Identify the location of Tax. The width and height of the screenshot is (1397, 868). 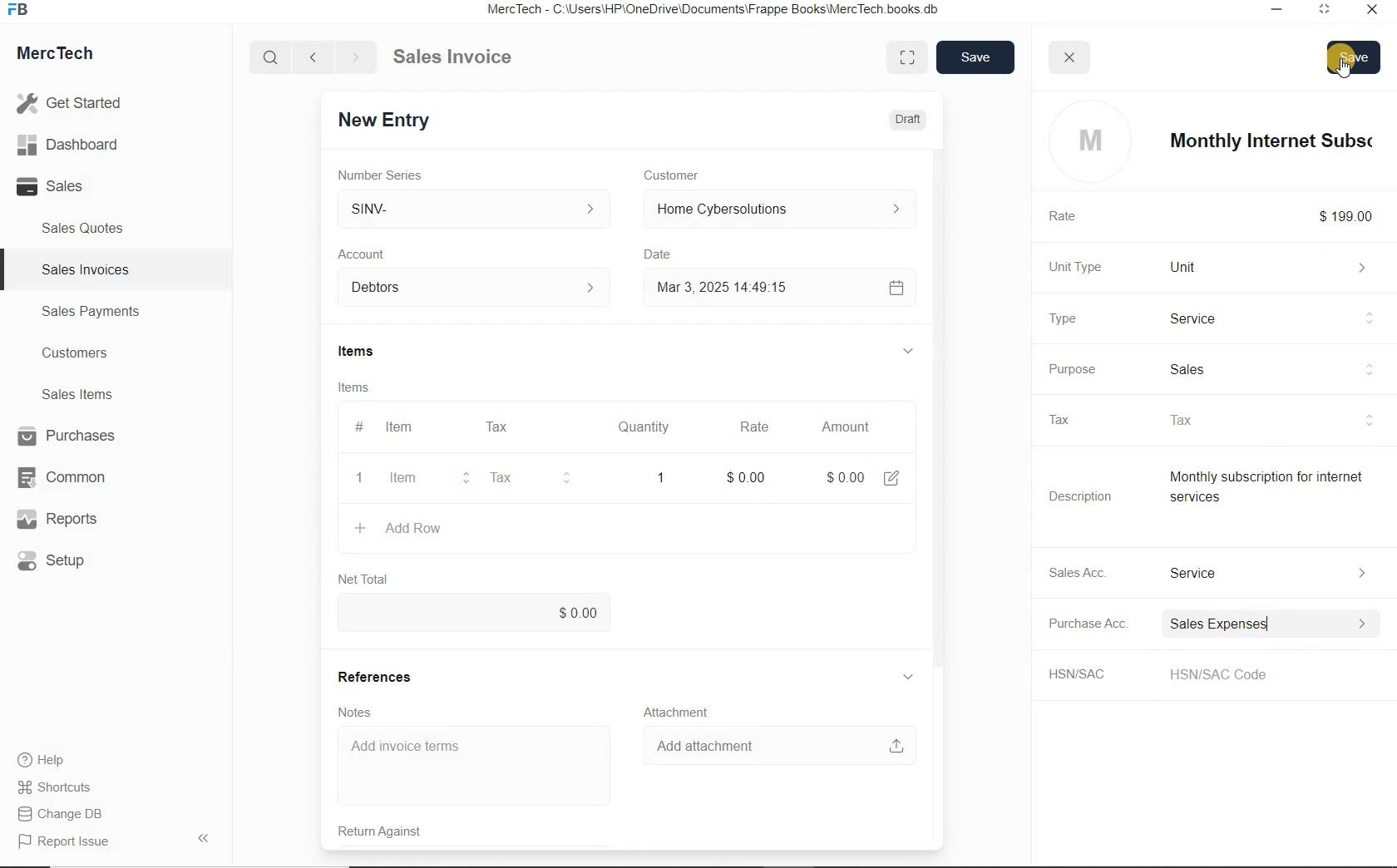
(496, 427).